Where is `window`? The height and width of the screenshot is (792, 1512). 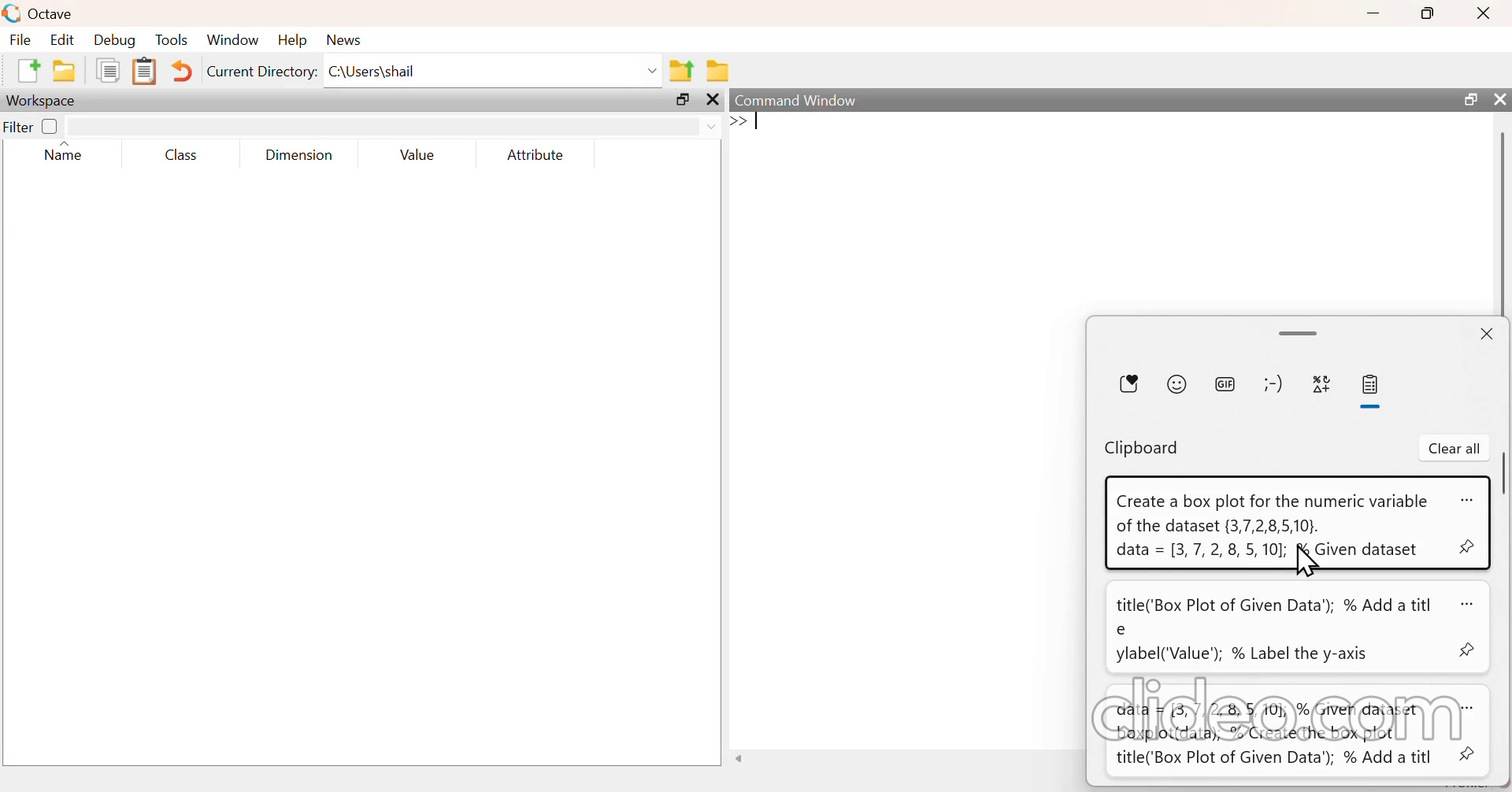
window is located at coordinates (234, 37).